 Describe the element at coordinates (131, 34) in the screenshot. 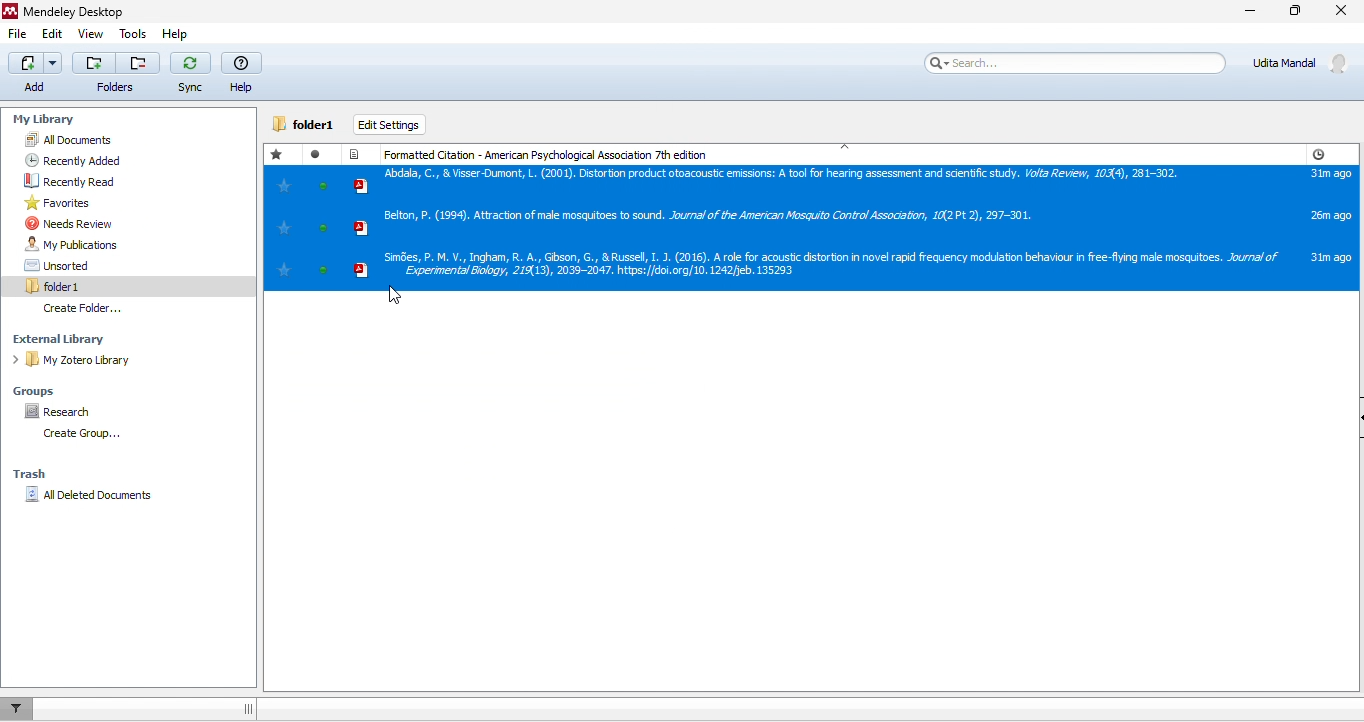

I see `tools` at that location.